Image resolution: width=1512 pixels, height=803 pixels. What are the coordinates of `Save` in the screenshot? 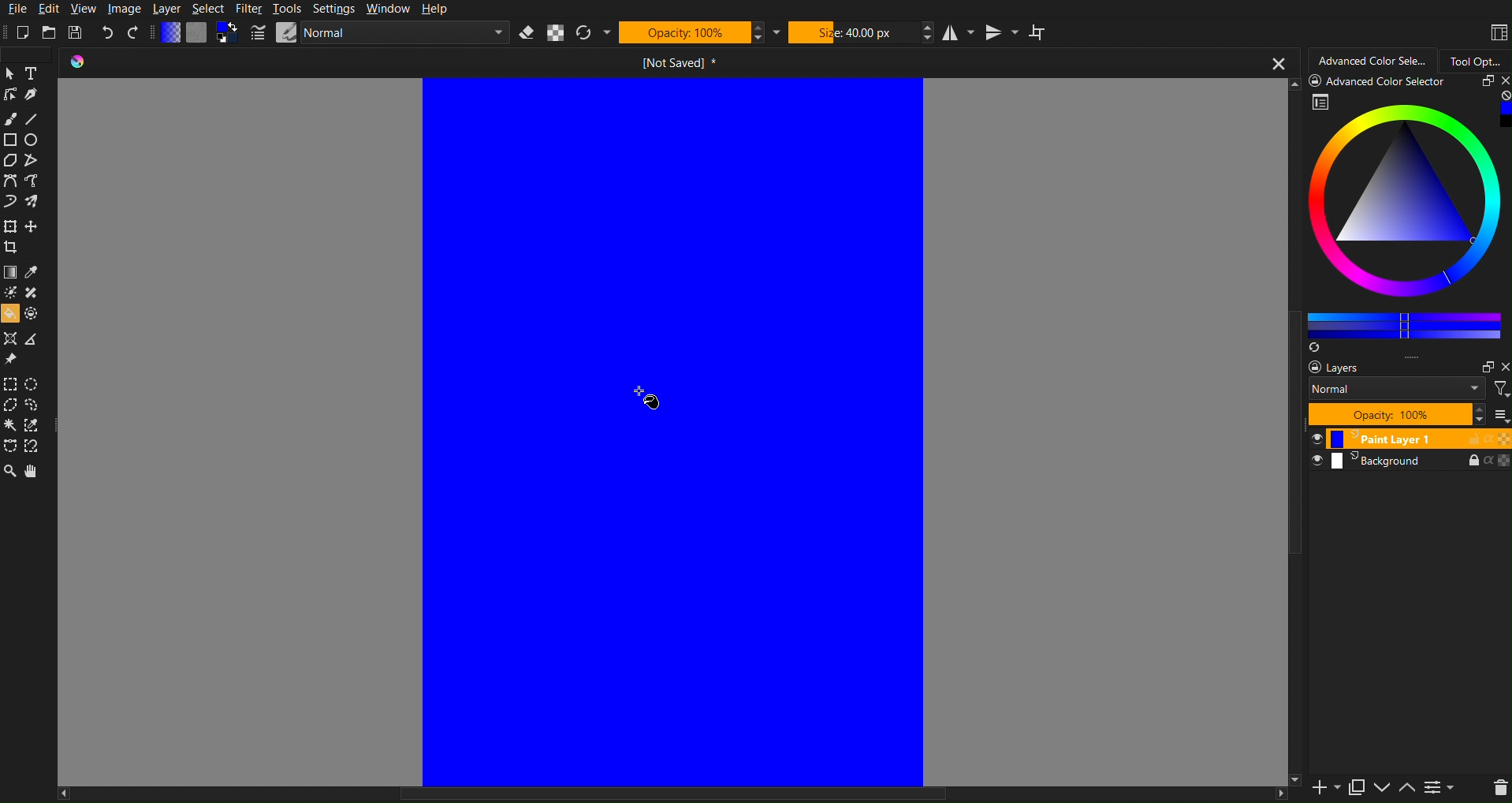 It's located at (74, 32).